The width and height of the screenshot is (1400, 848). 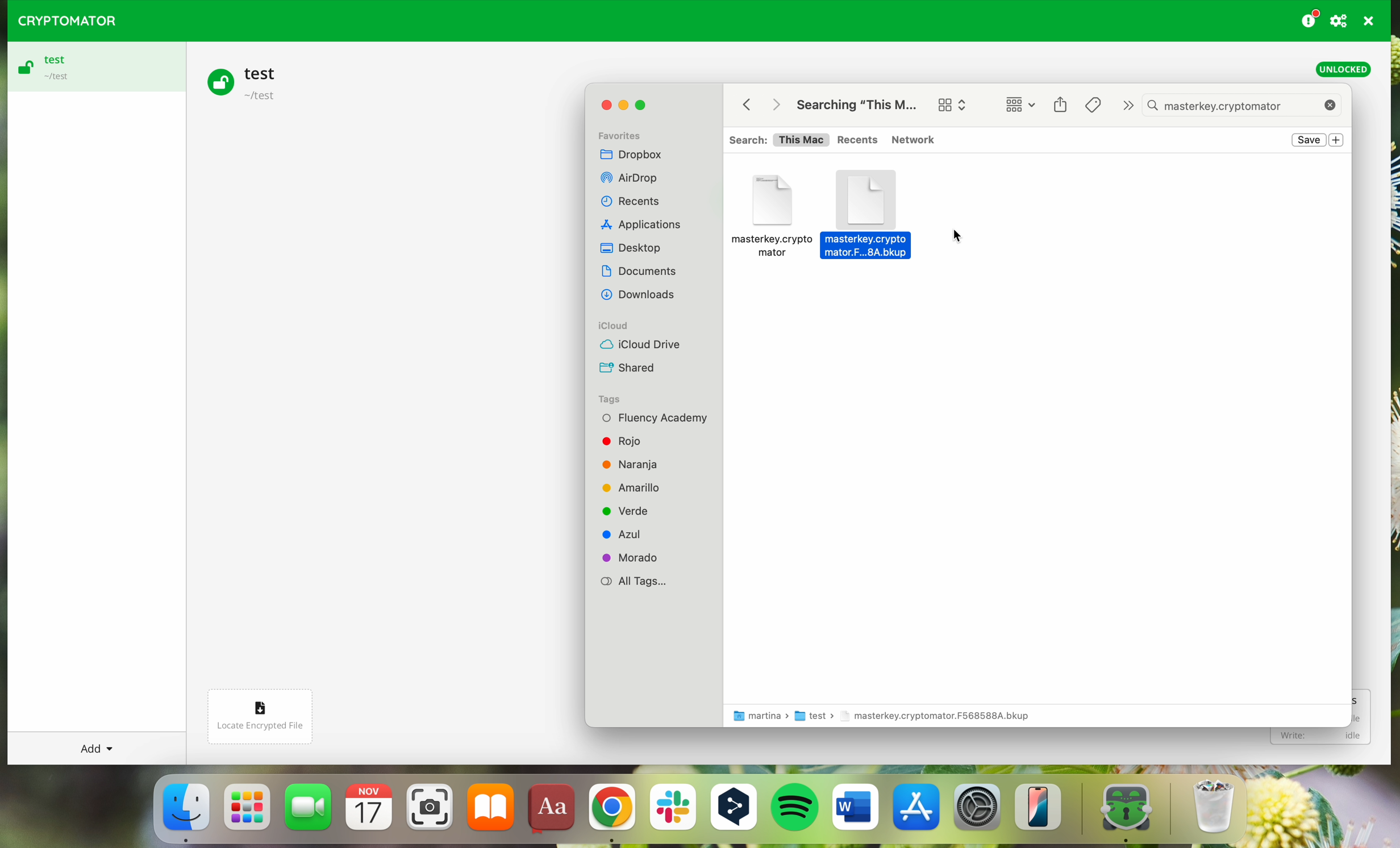 What do you see at coordinates (644, 105) in the screenshot?
I see `maximize` at bounding box center [644, 105].